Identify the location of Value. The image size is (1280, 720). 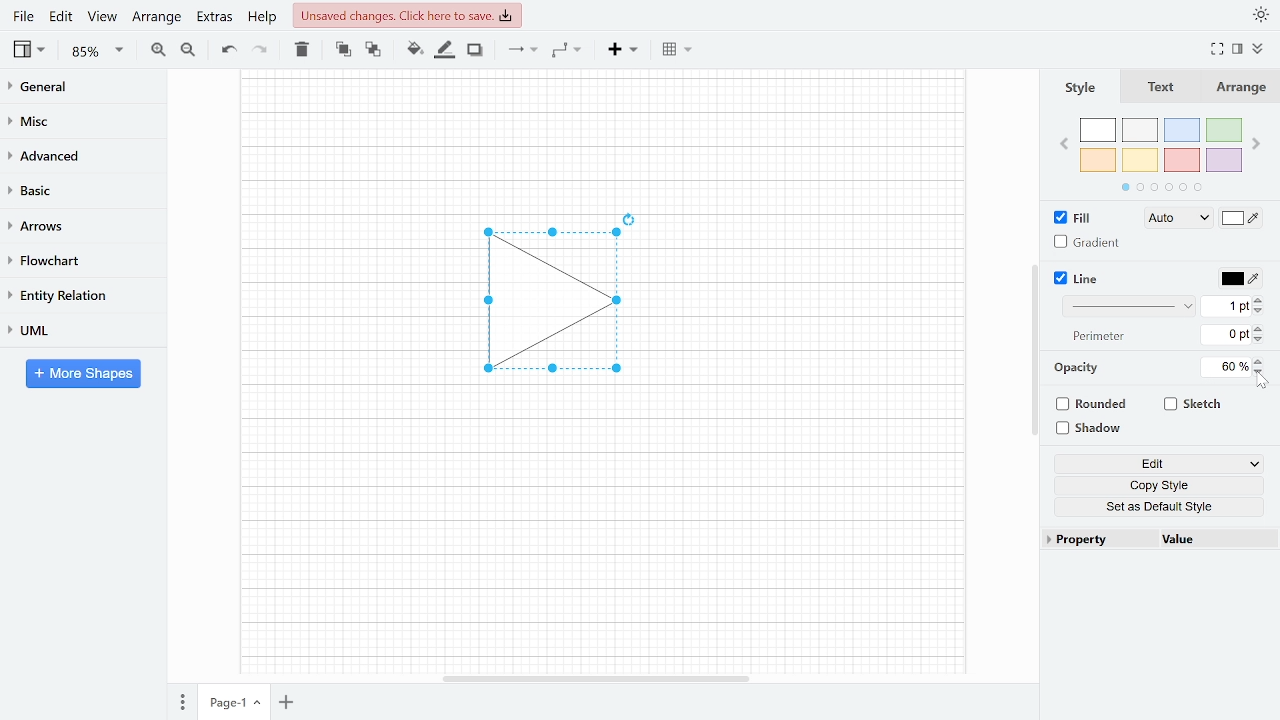
(1213, 541).